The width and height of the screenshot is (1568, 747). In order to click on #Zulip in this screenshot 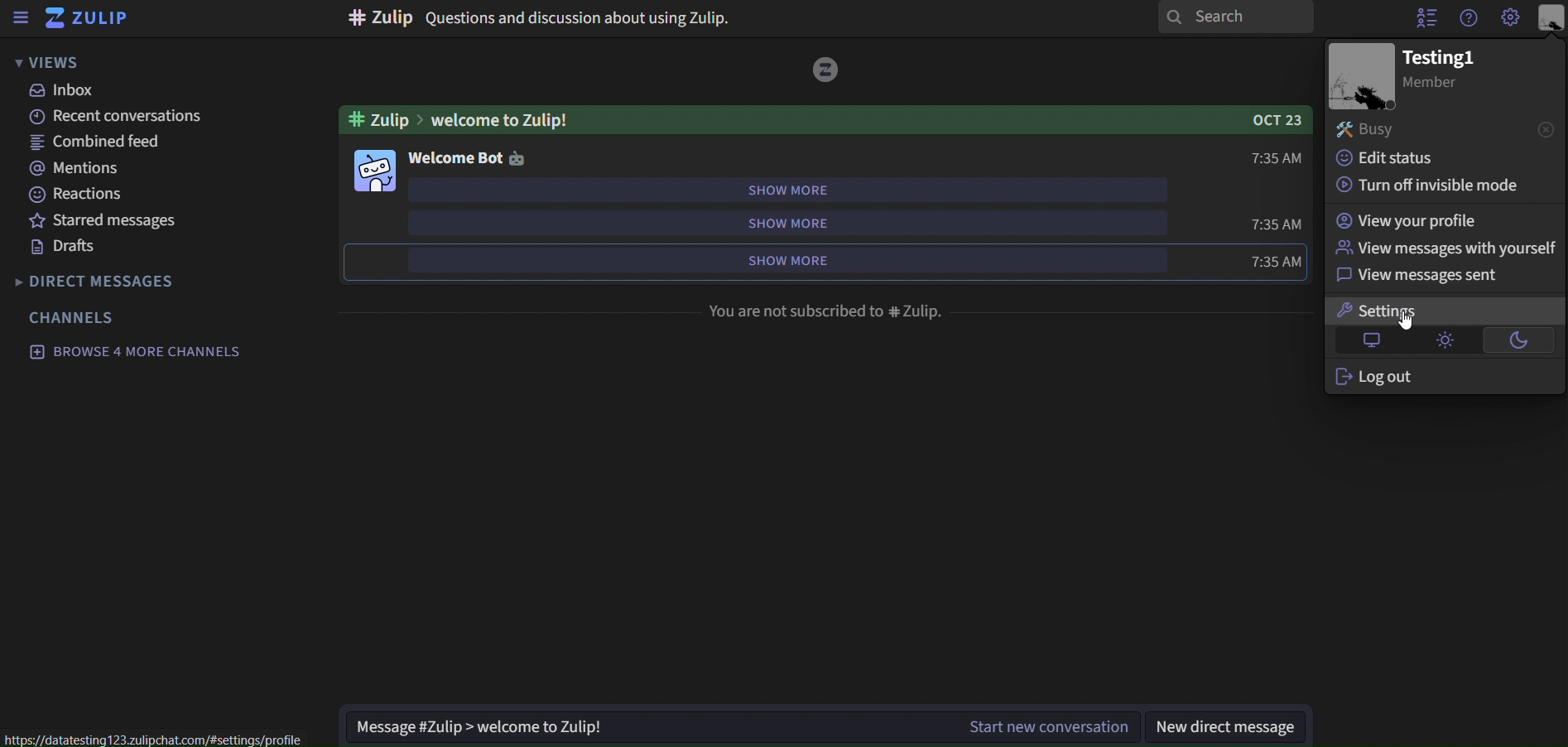, I will do `click(380, 121)`.